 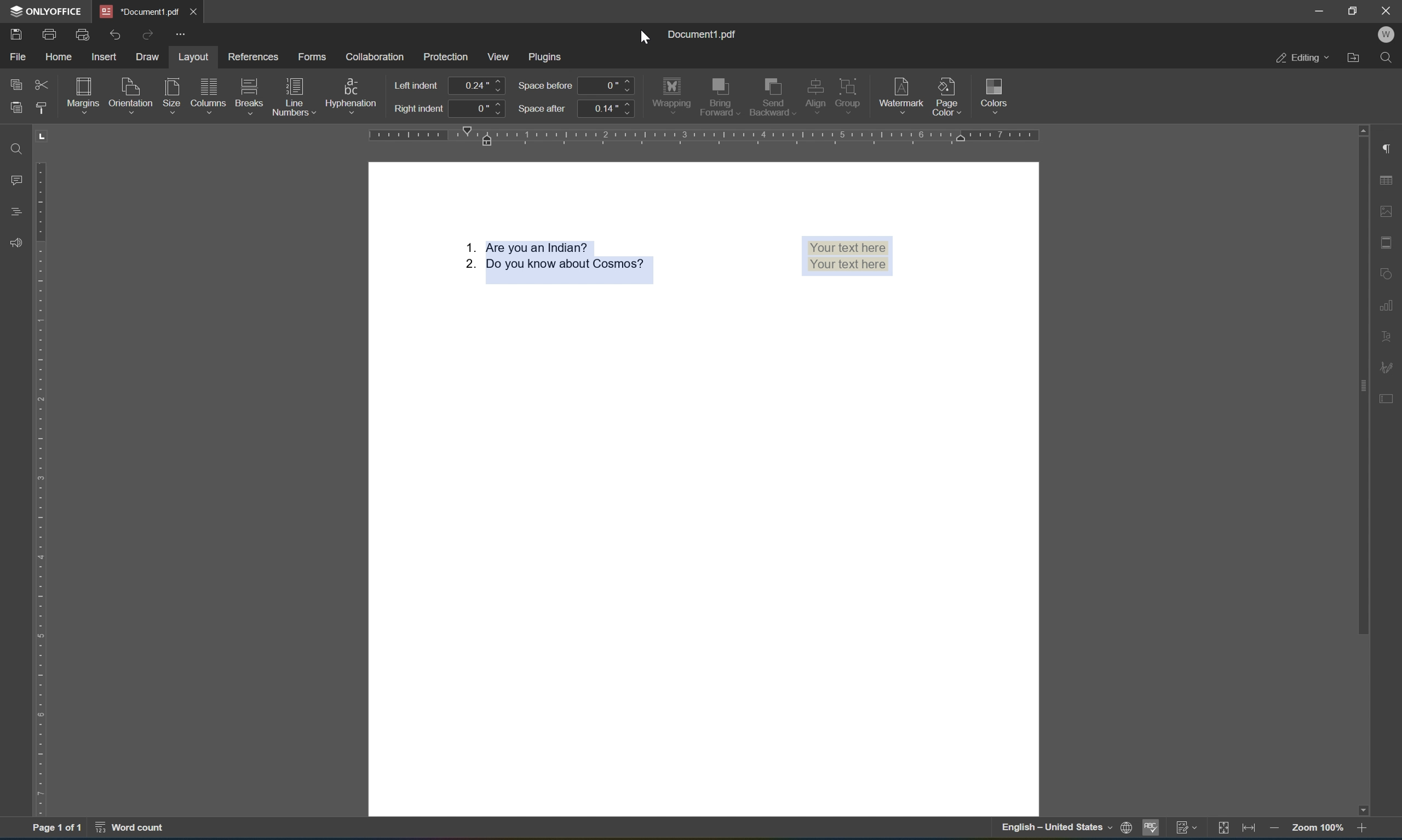 What do you see at coordinates (447, 57) in the screenshot?
I see `protection` at bounding box center [447, 57].